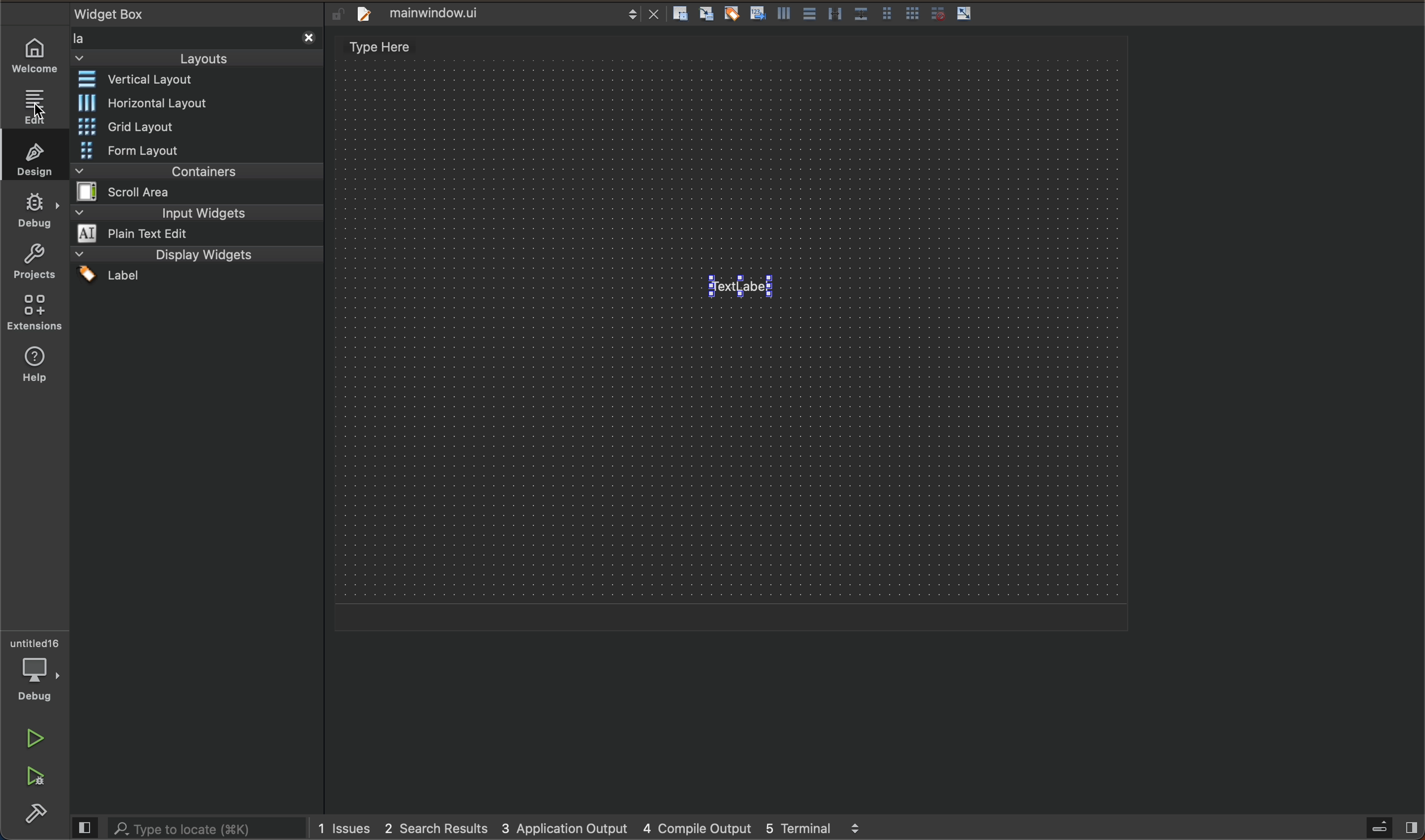 This screenshot has height=840, width=1425. I want to click on Search, so click(157, 36).